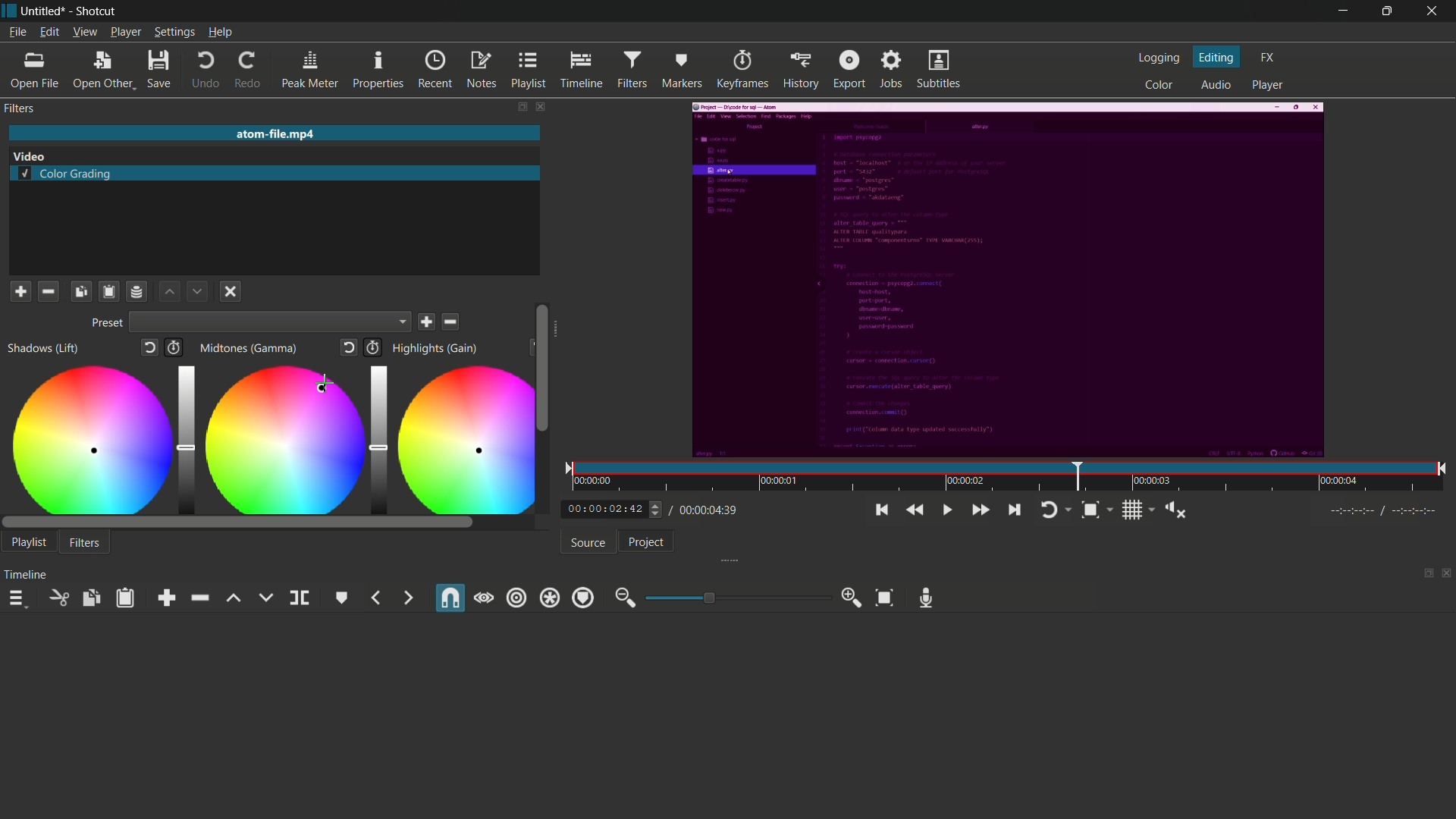 This screenshot has width=1456, height=819. Describe the element at coordinates (9, 11) in the screenshot. I see `app icon` at that location.